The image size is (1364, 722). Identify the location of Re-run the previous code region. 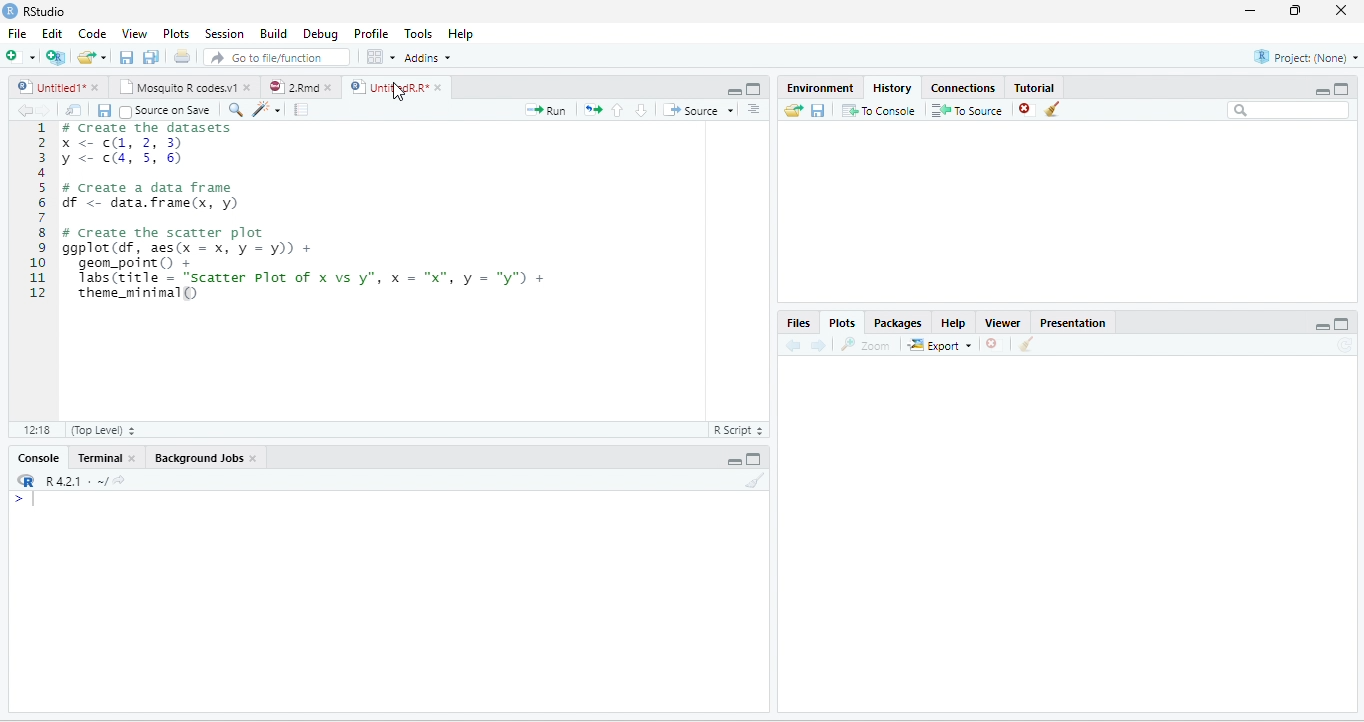
(593, 110).